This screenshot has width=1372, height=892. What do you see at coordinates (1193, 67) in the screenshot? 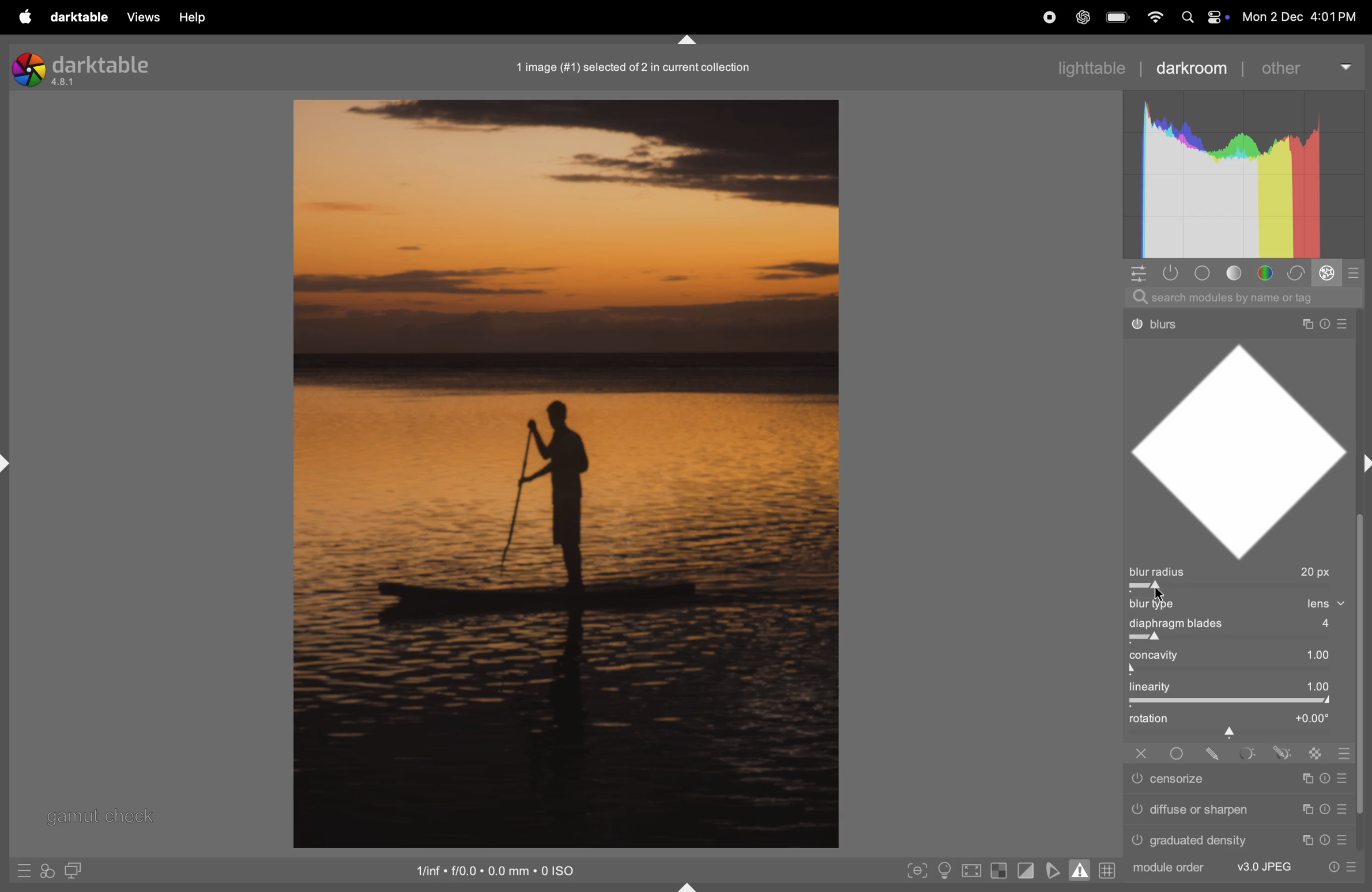
I see `darkroom` at bounding box center [1193, 67].